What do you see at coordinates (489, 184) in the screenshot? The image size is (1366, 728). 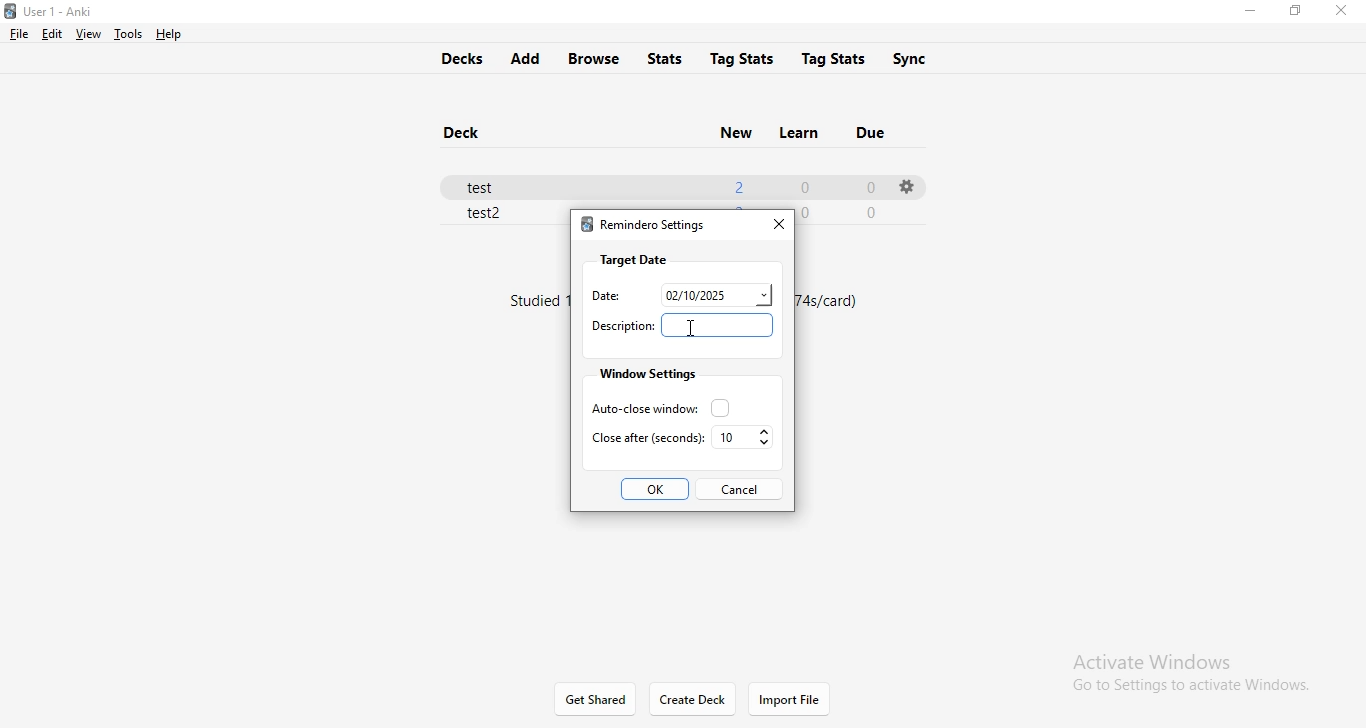 I see `test` at bounding box center [489, 184].